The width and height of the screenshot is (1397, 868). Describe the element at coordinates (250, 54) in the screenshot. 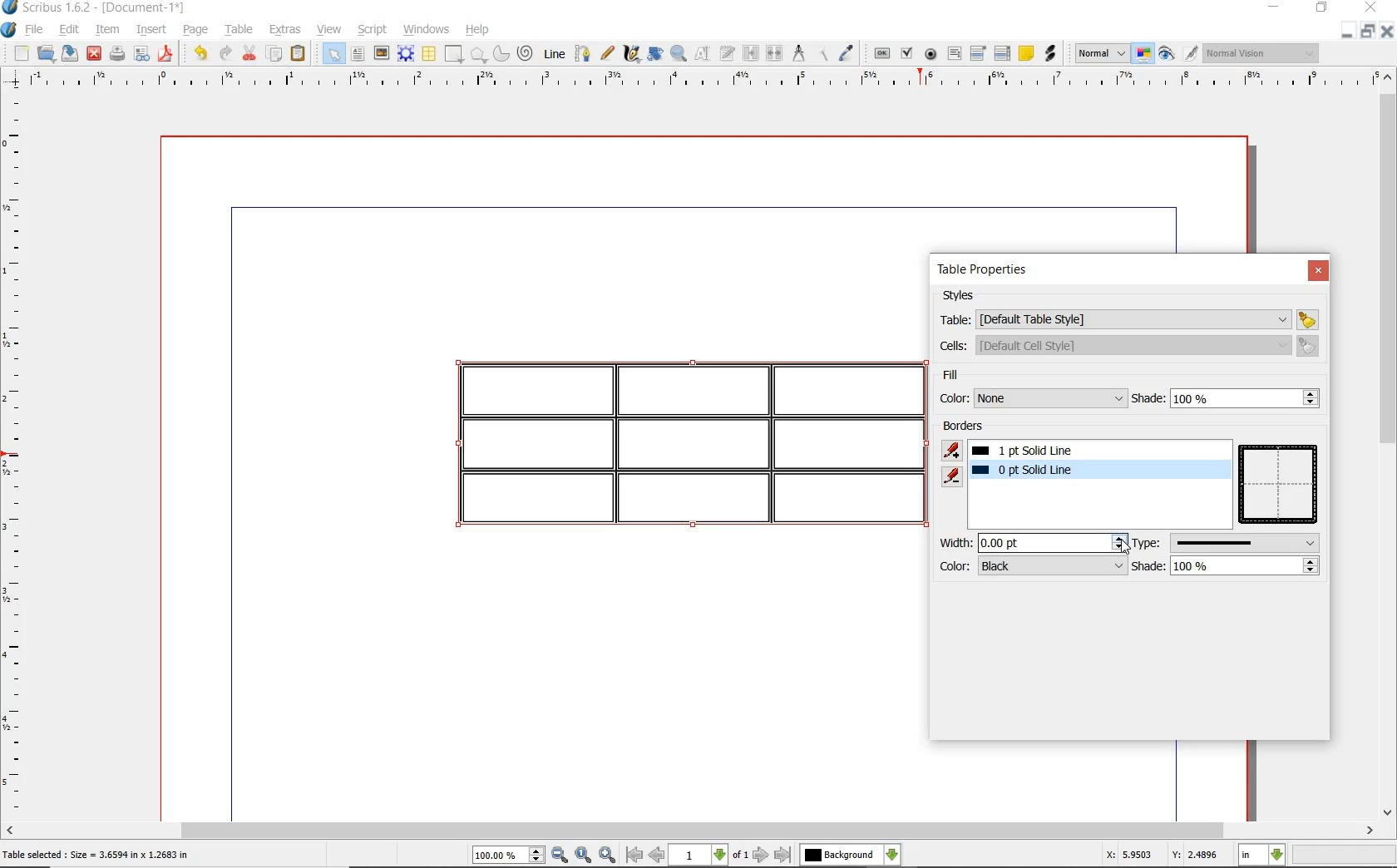

I see `cut` at that location.